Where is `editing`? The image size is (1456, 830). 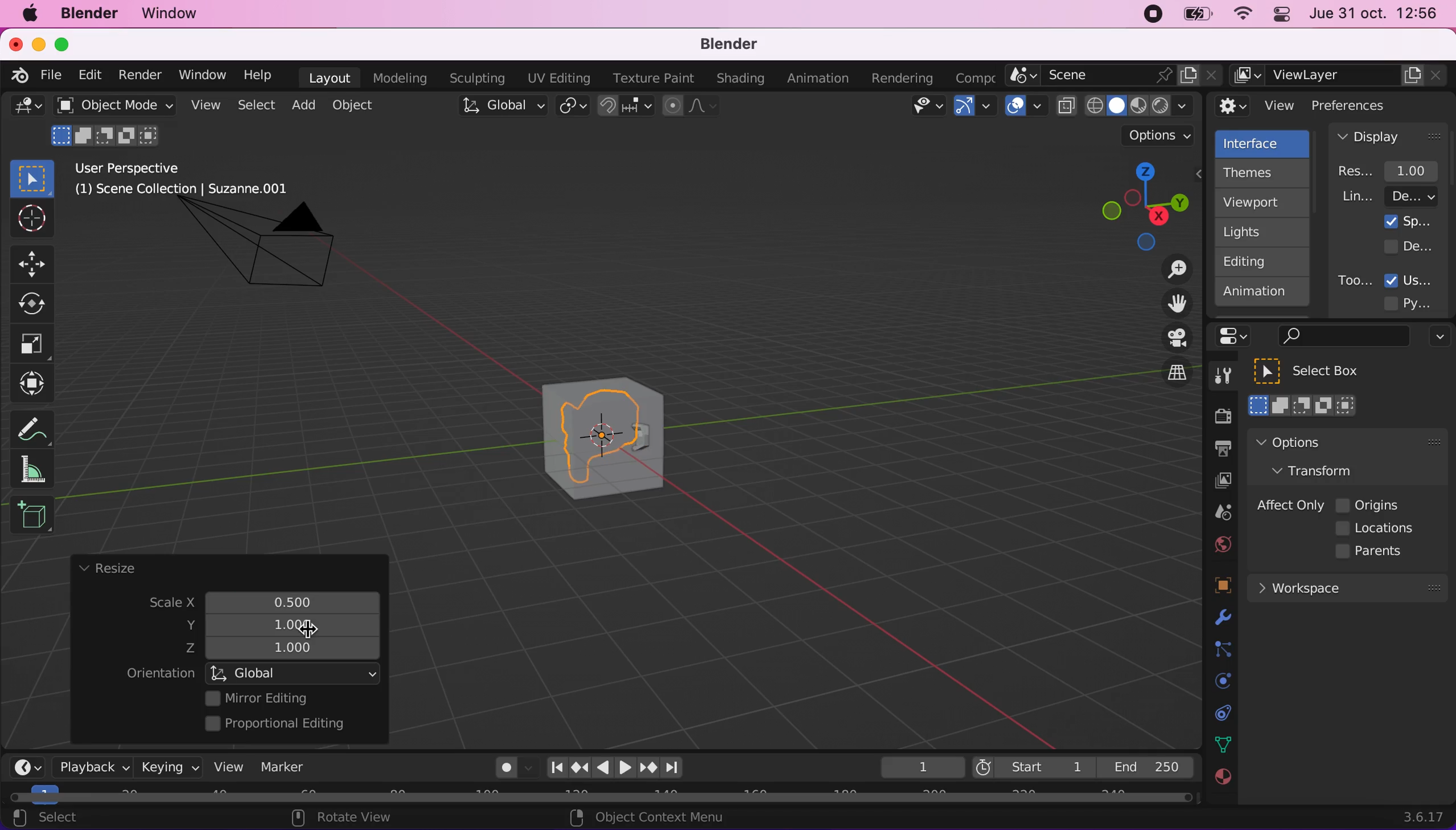
editing is located at coordinates (1257, 261).